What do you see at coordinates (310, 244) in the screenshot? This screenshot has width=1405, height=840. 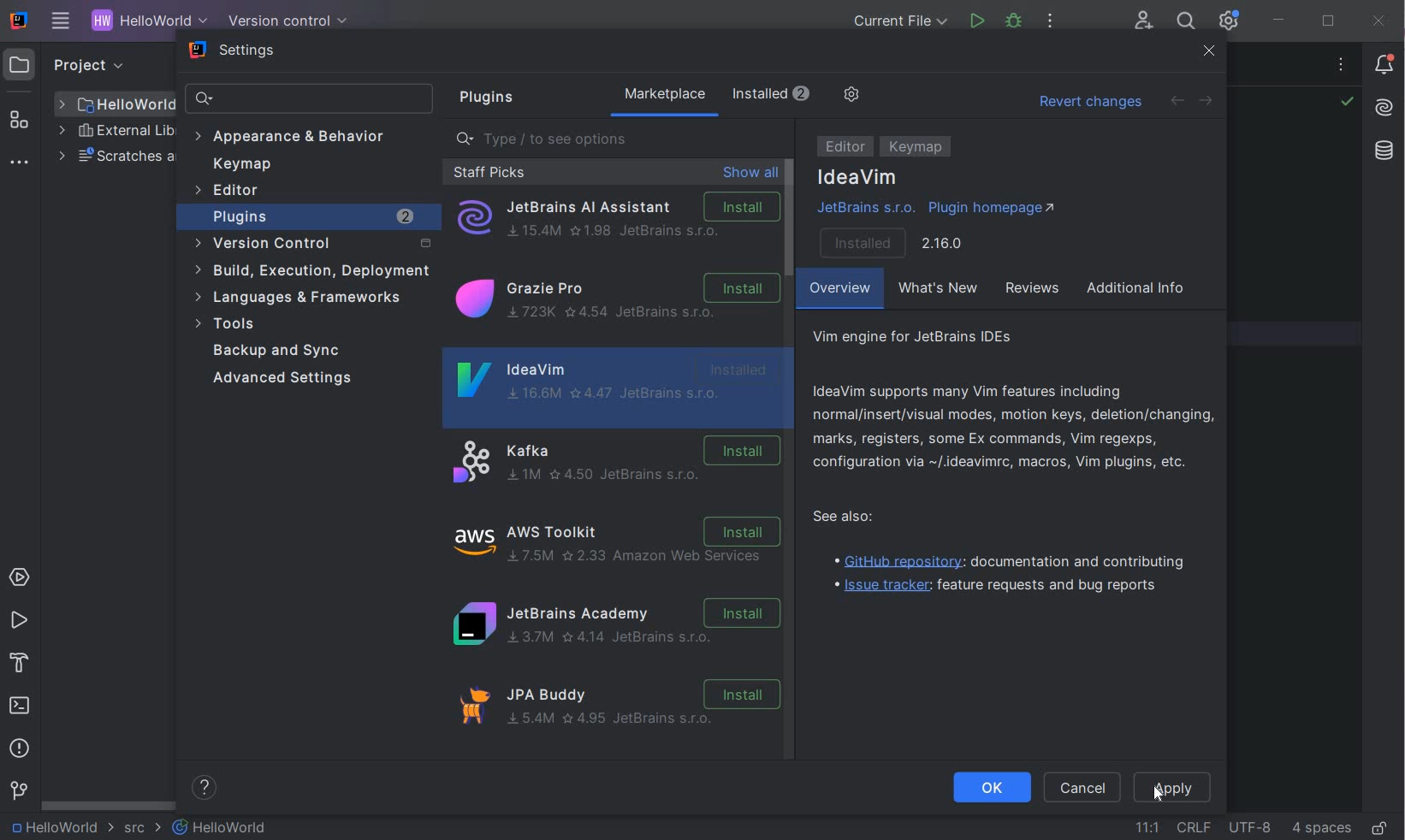 I see `version control` at bounding box center [310, 244].